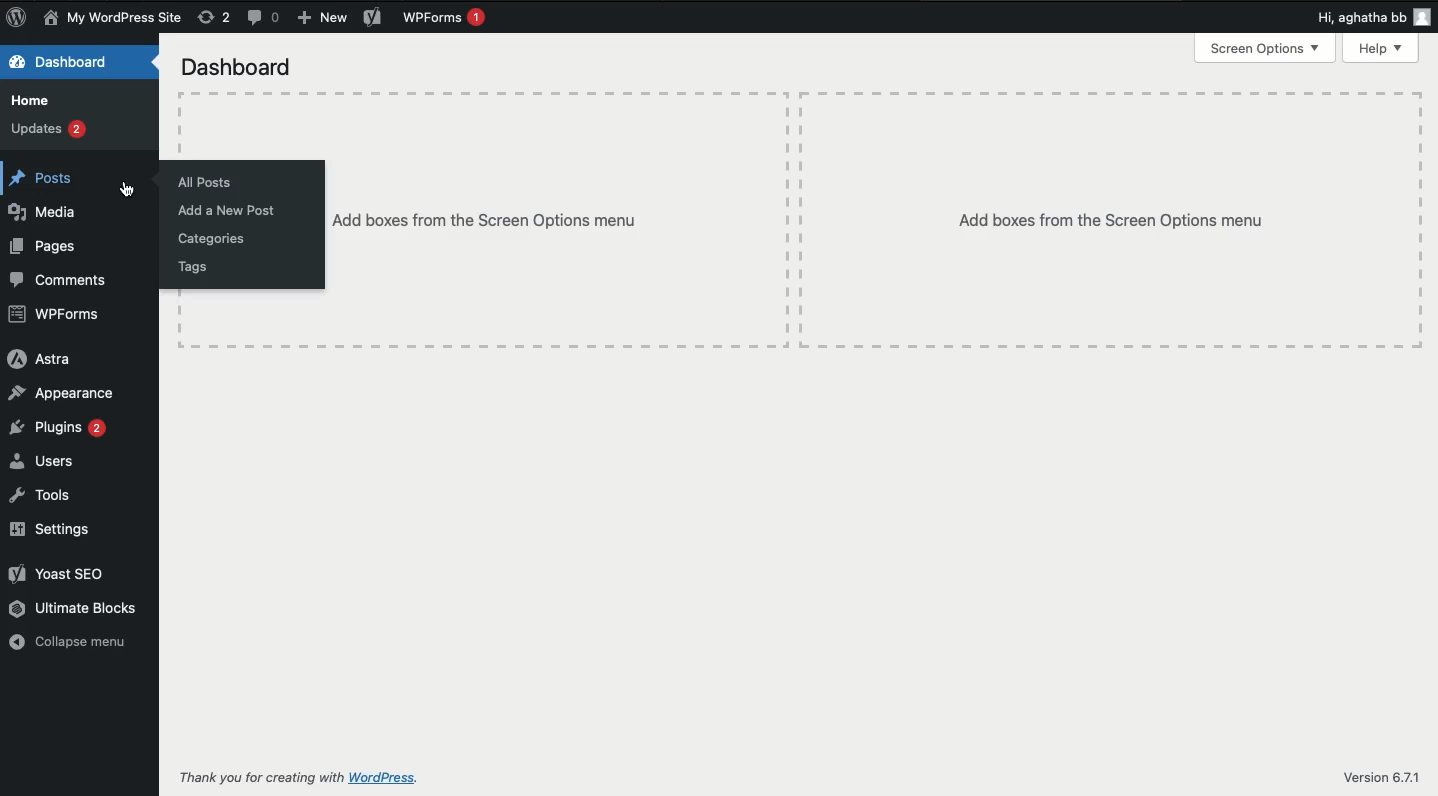  What do you see at coordinates (36, 101) in the screenshot?
I see `Home` at bounding box center [36, 101].